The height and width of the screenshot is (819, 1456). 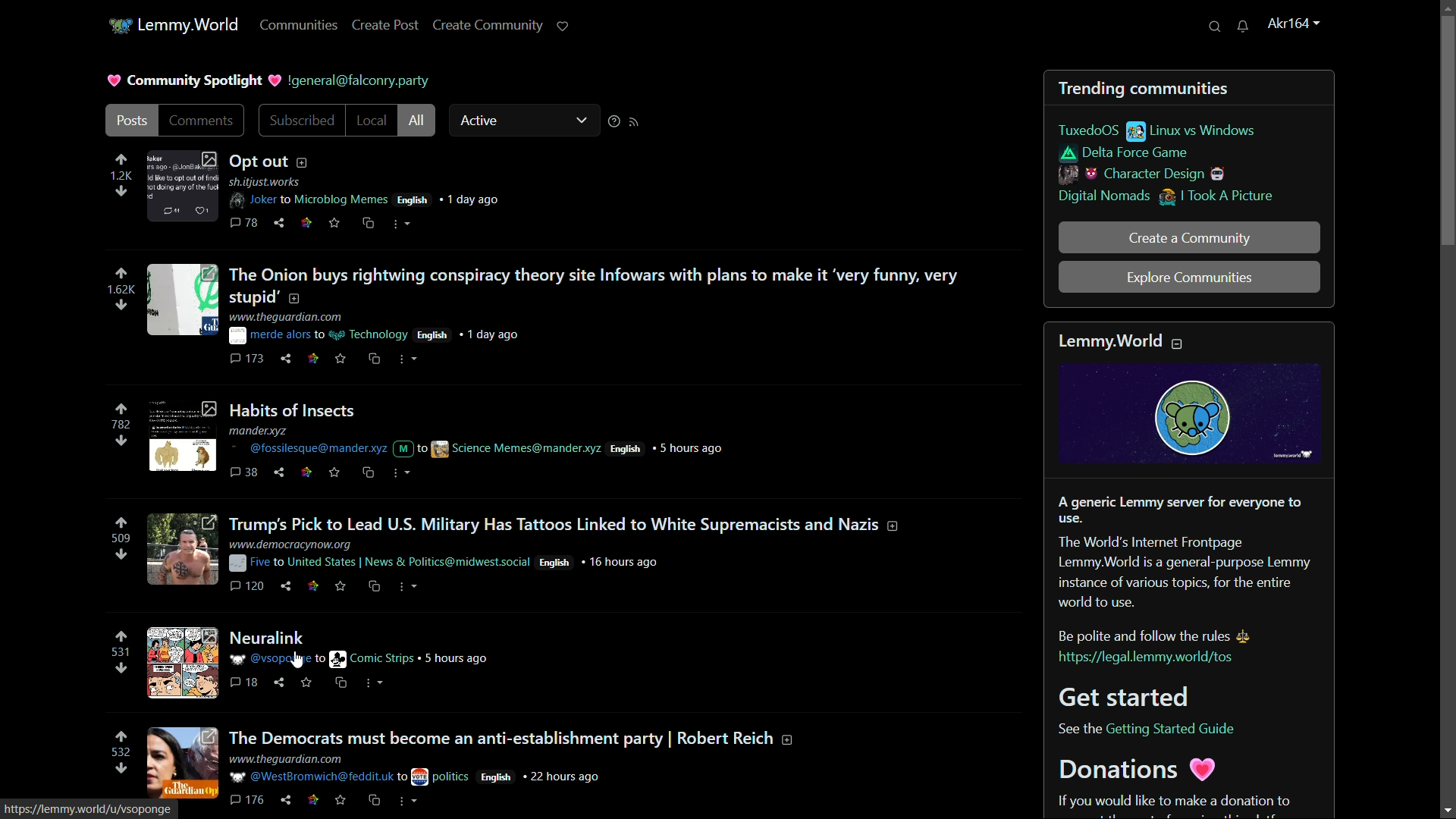 What do you see at coordinates (375, 685) in the screenshot?
I see `more` at bounding box center [375, 685].